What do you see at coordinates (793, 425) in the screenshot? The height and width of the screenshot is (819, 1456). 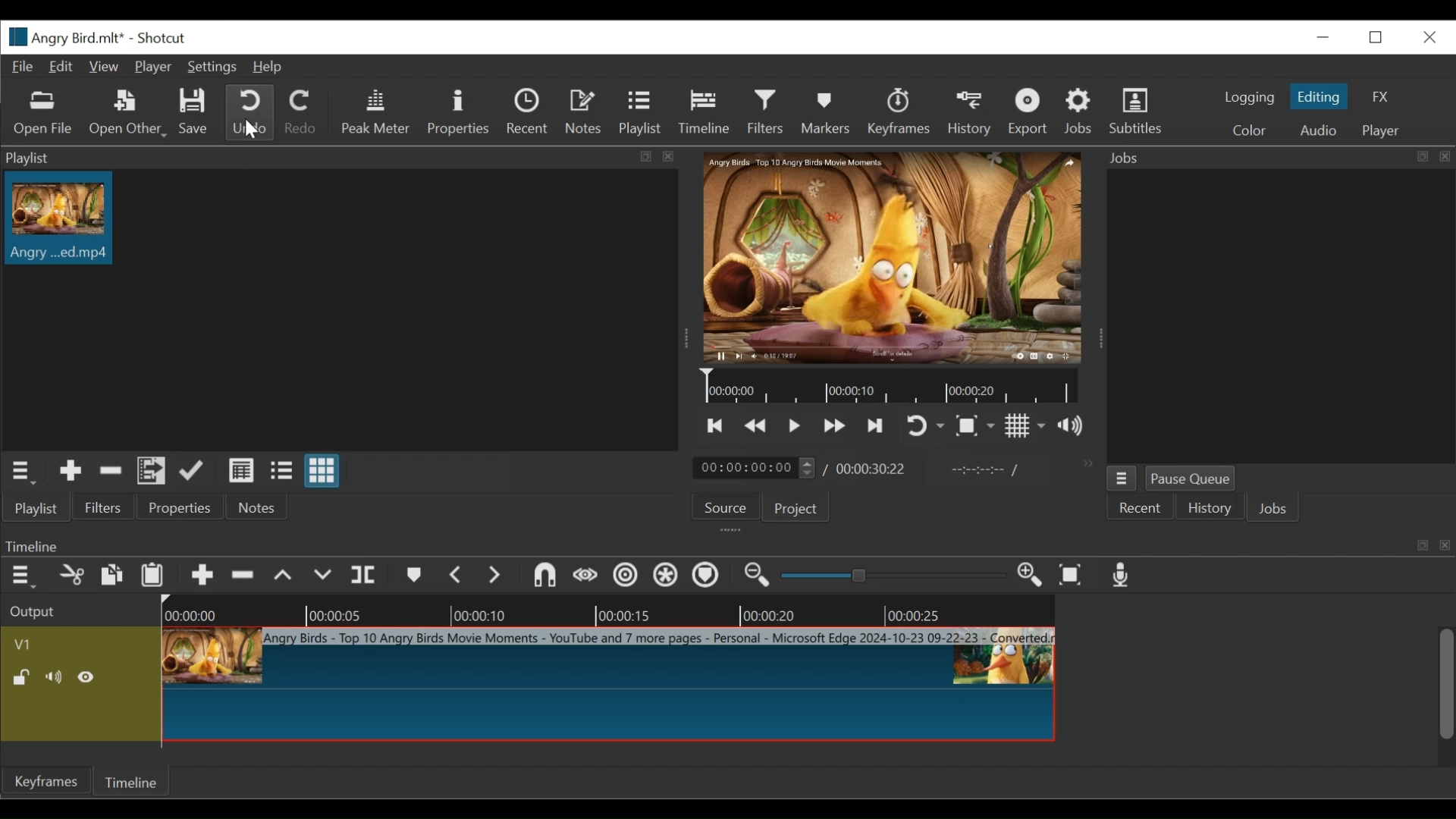 I see `Toggle play or pause (space)` at bounding box center [793, 425].